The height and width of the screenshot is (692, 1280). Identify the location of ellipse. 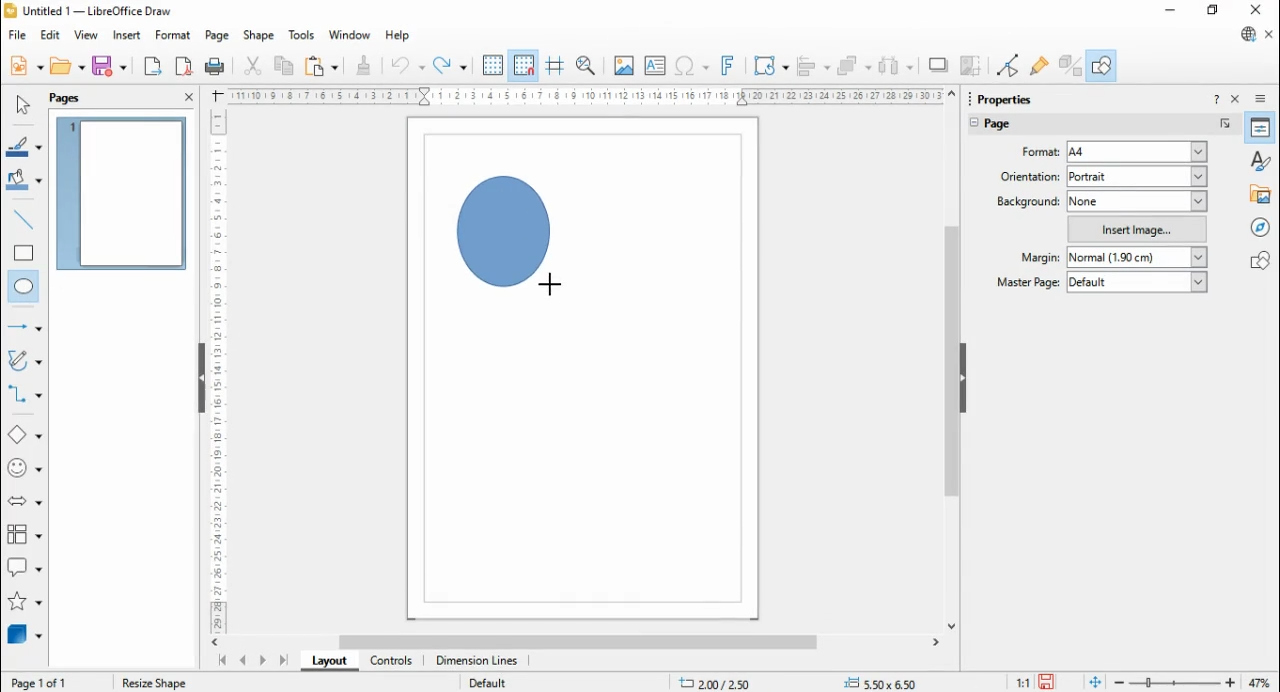
(25, 288).